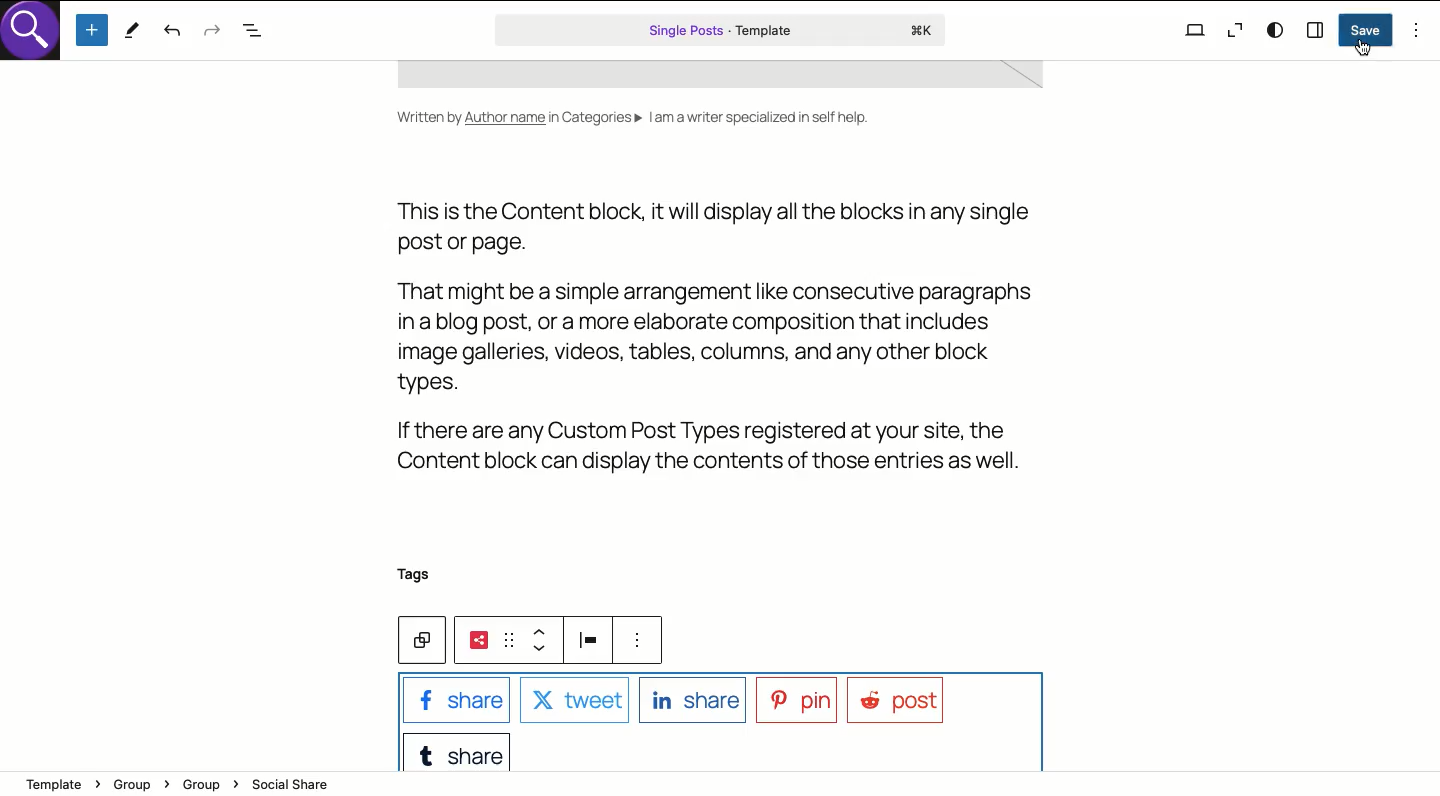  I want to click on Tumble, so click(458, 750).